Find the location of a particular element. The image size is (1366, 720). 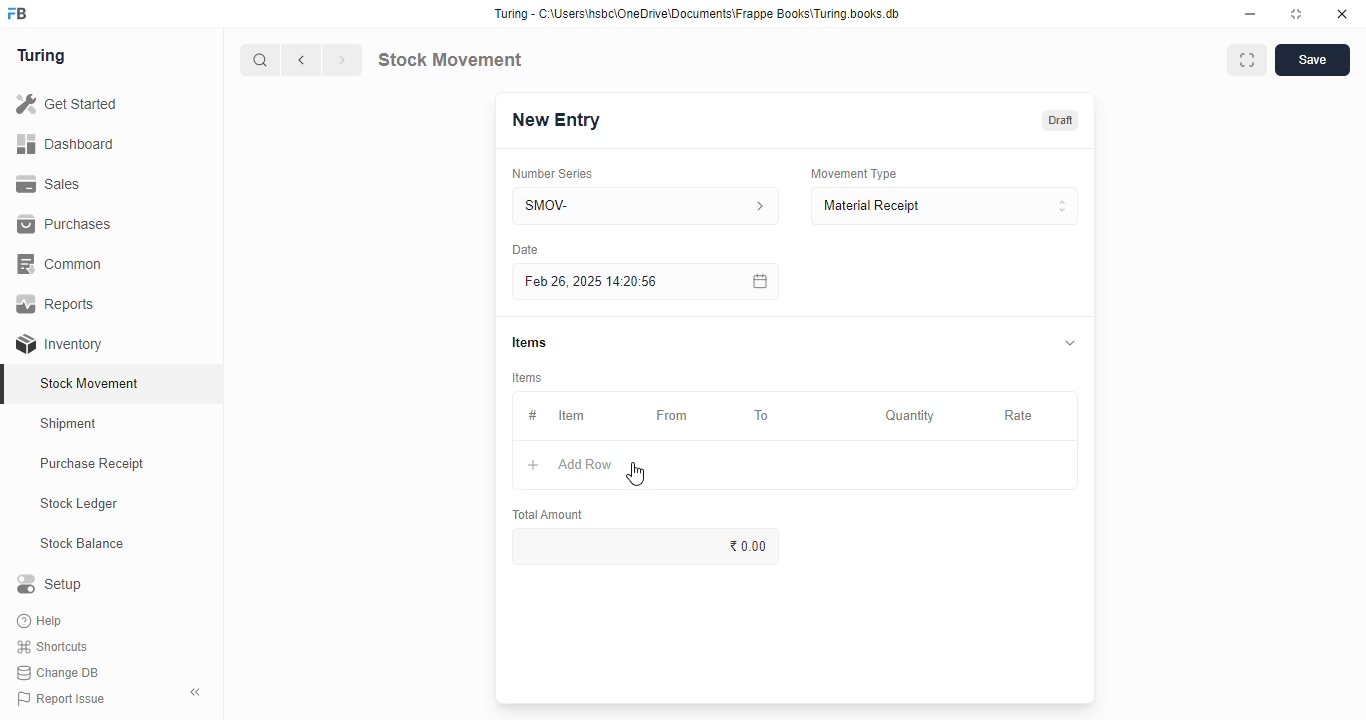

save is located at coordinates (1313, 60).